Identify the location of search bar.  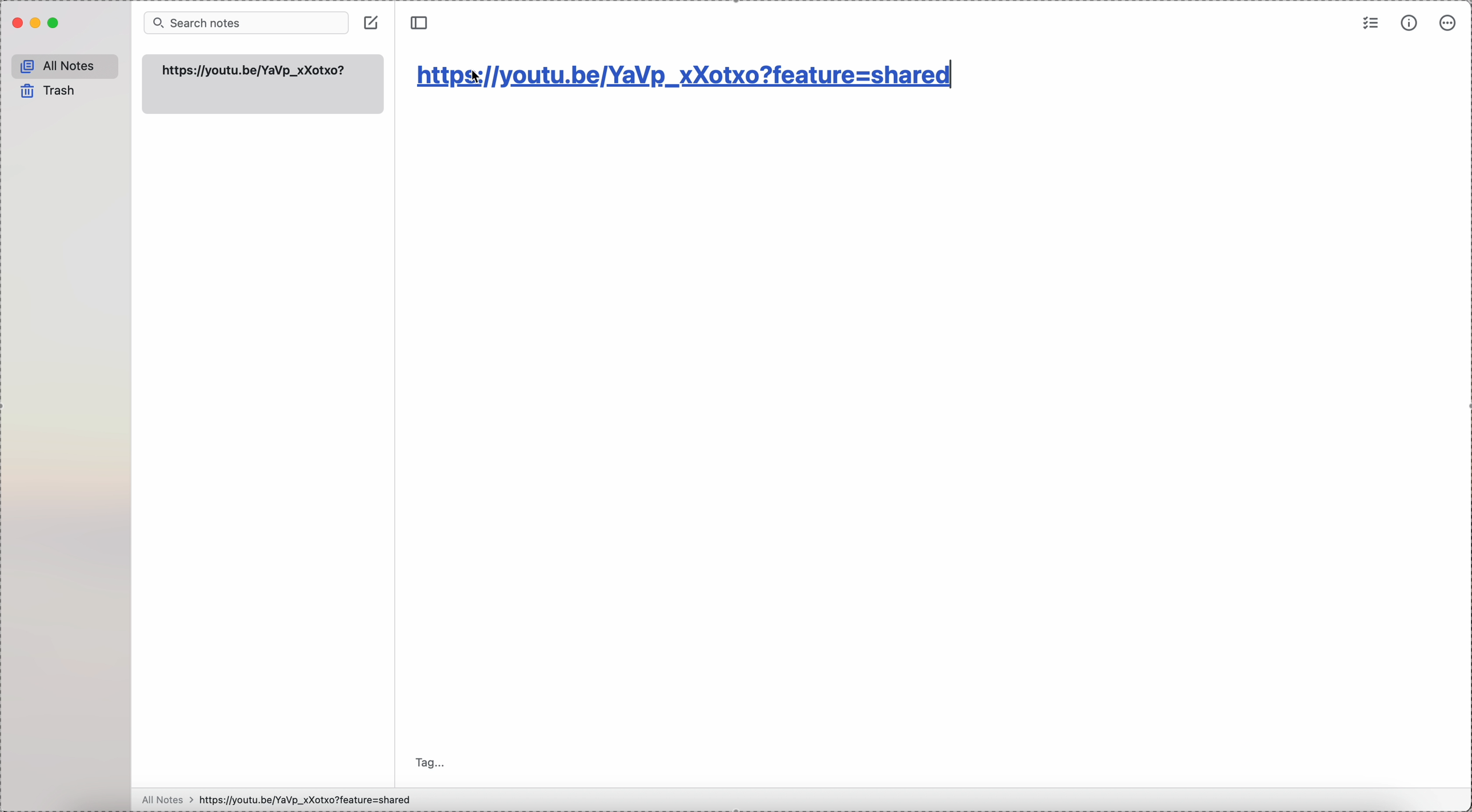
(245, 23).